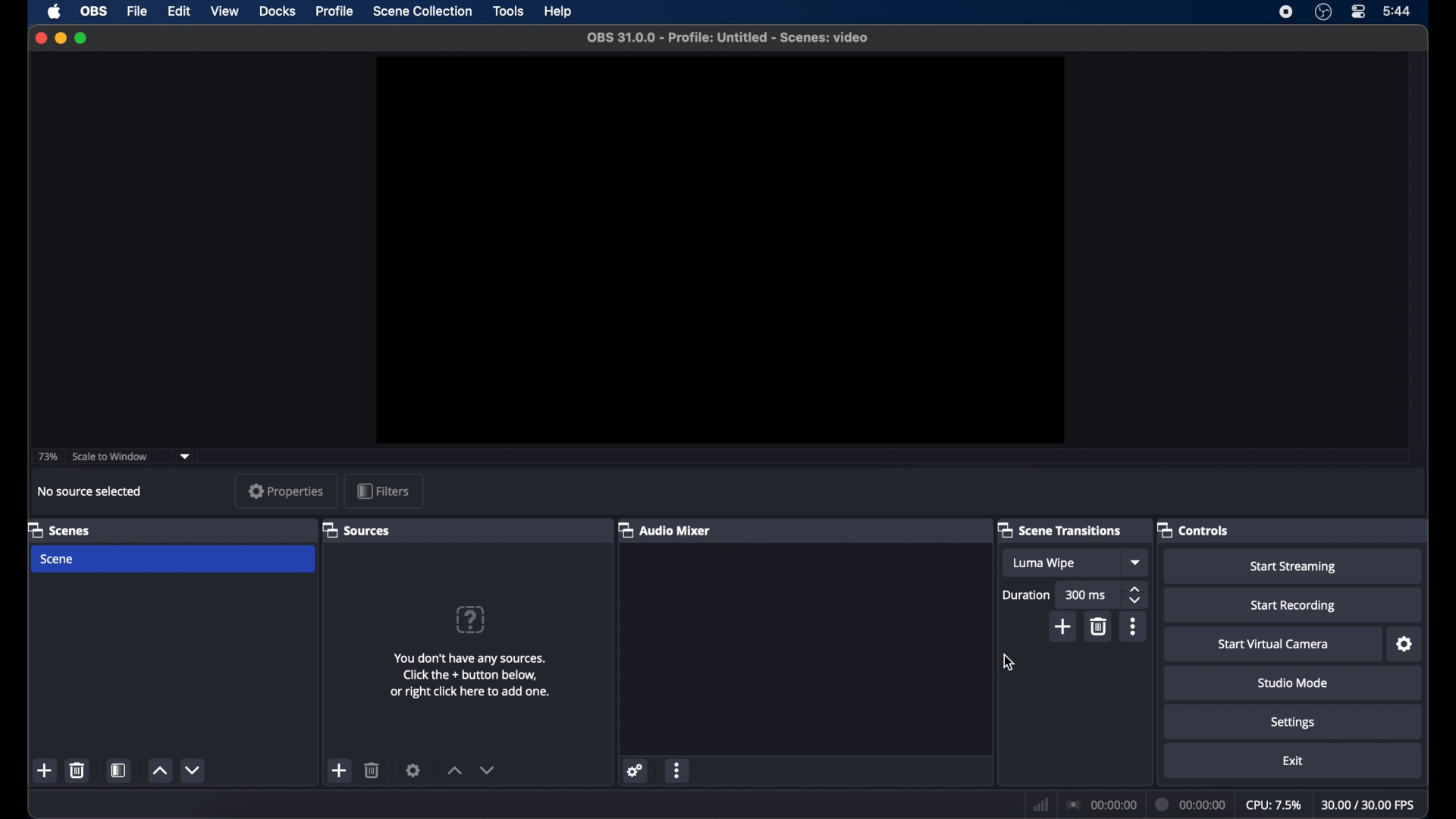  Describe the element at coordinates (423, 11) in the screenshot. I see `scene collection` at that location.